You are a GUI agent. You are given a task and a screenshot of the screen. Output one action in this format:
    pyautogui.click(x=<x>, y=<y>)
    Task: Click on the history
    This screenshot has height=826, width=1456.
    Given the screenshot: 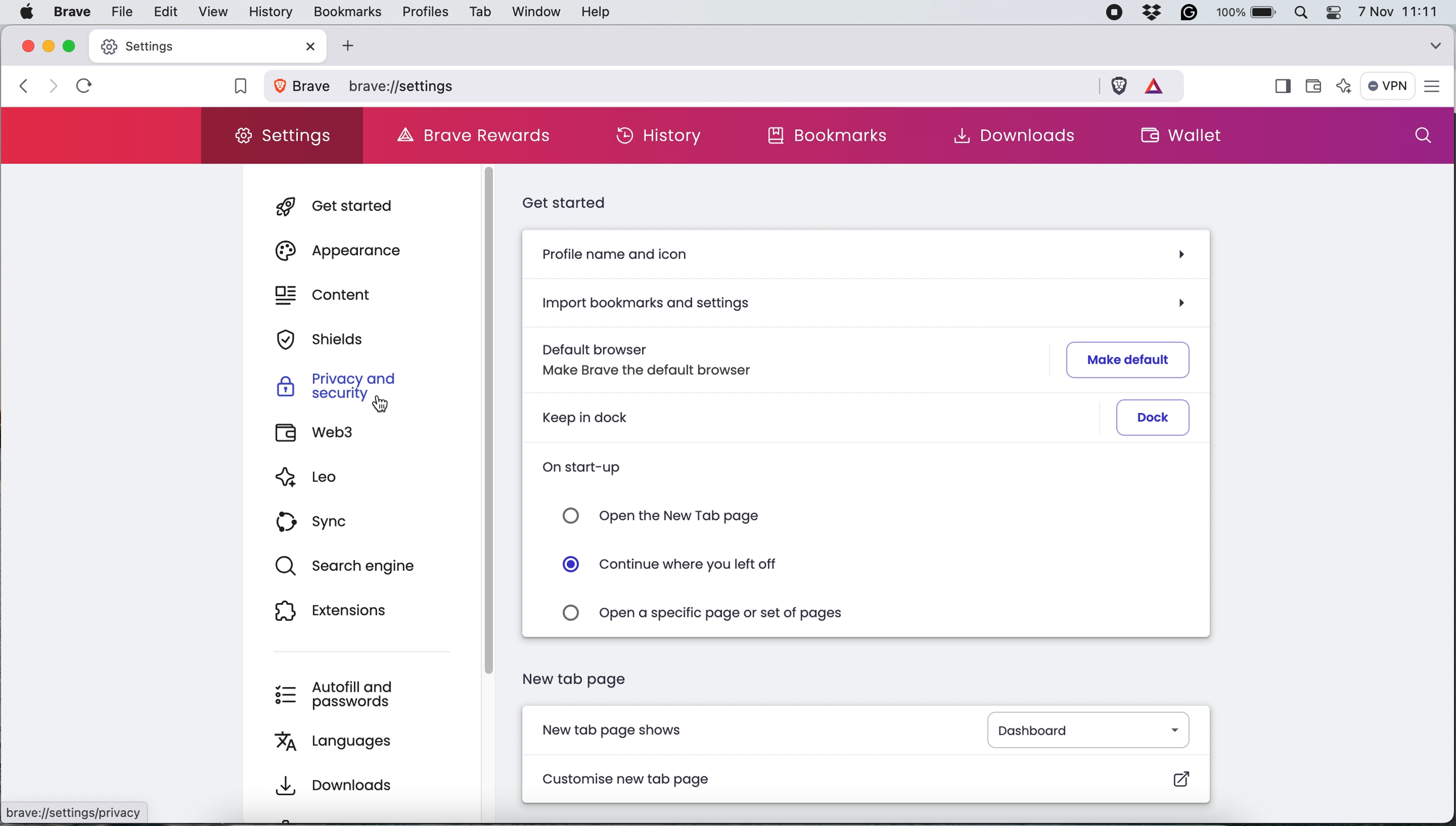 What is the action you would take?
    pyautogui.click(x=660, y=136)
    